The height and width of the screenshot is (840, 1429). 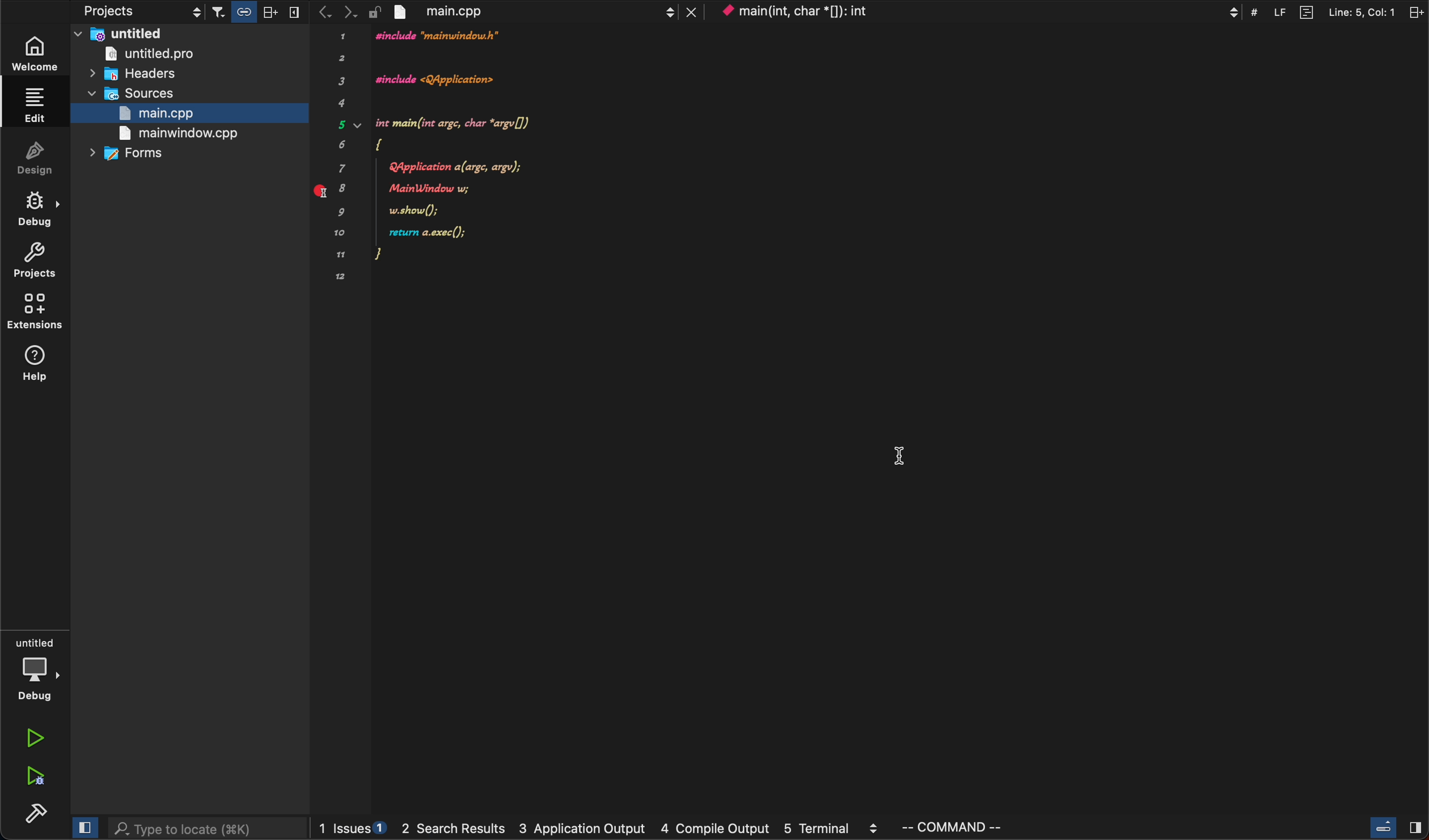 I want to click on build, so click(x=33, y=816).